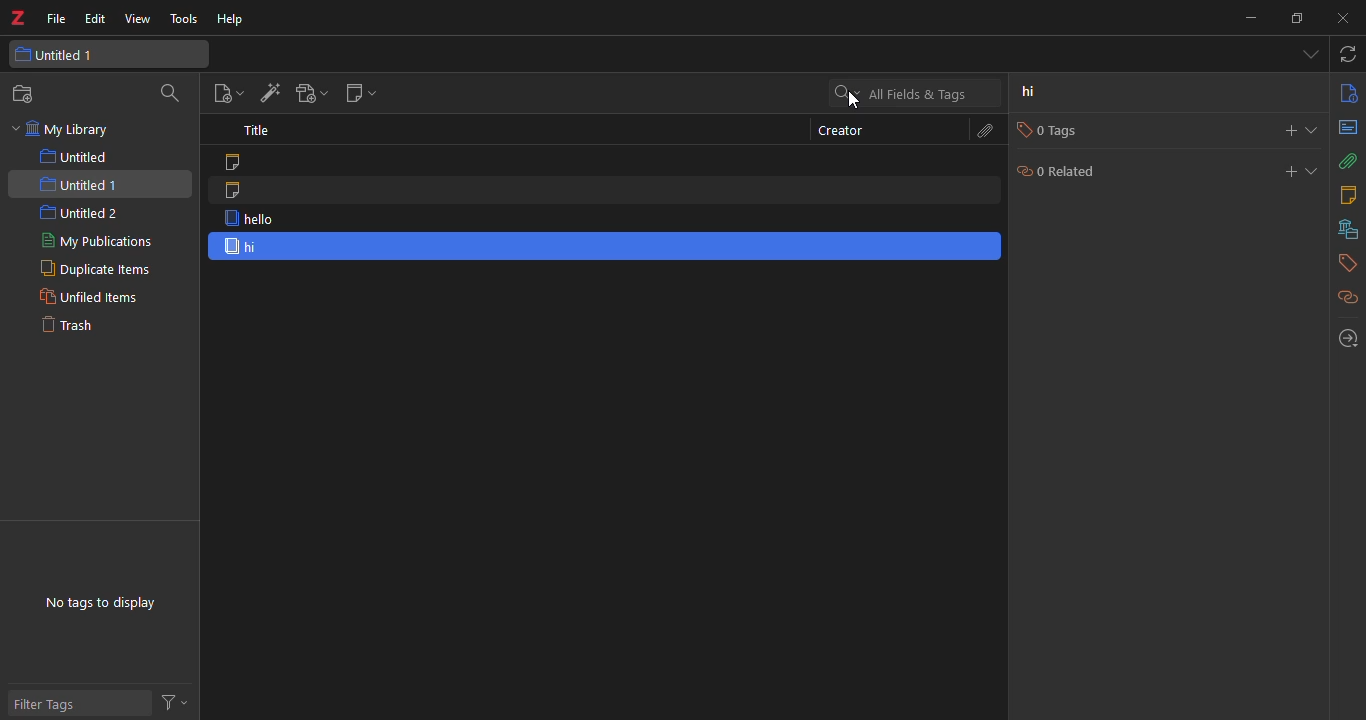  I want to click on notes, so click(1350, 194).